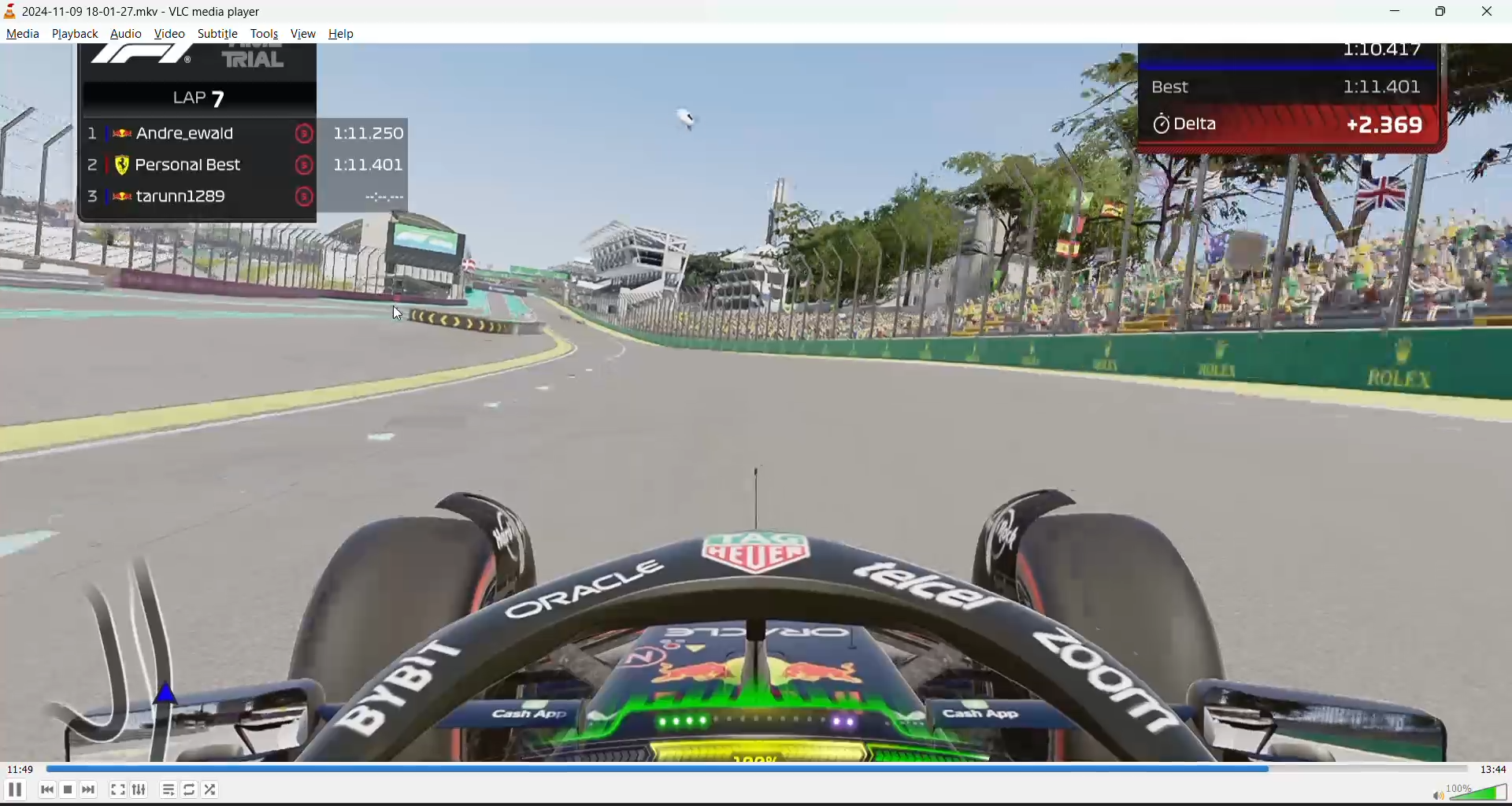 The width and height of the screenshot is (1512, 806). Describe the element at coordinates (172, 35) in the screenshot. I see `video` at that location.